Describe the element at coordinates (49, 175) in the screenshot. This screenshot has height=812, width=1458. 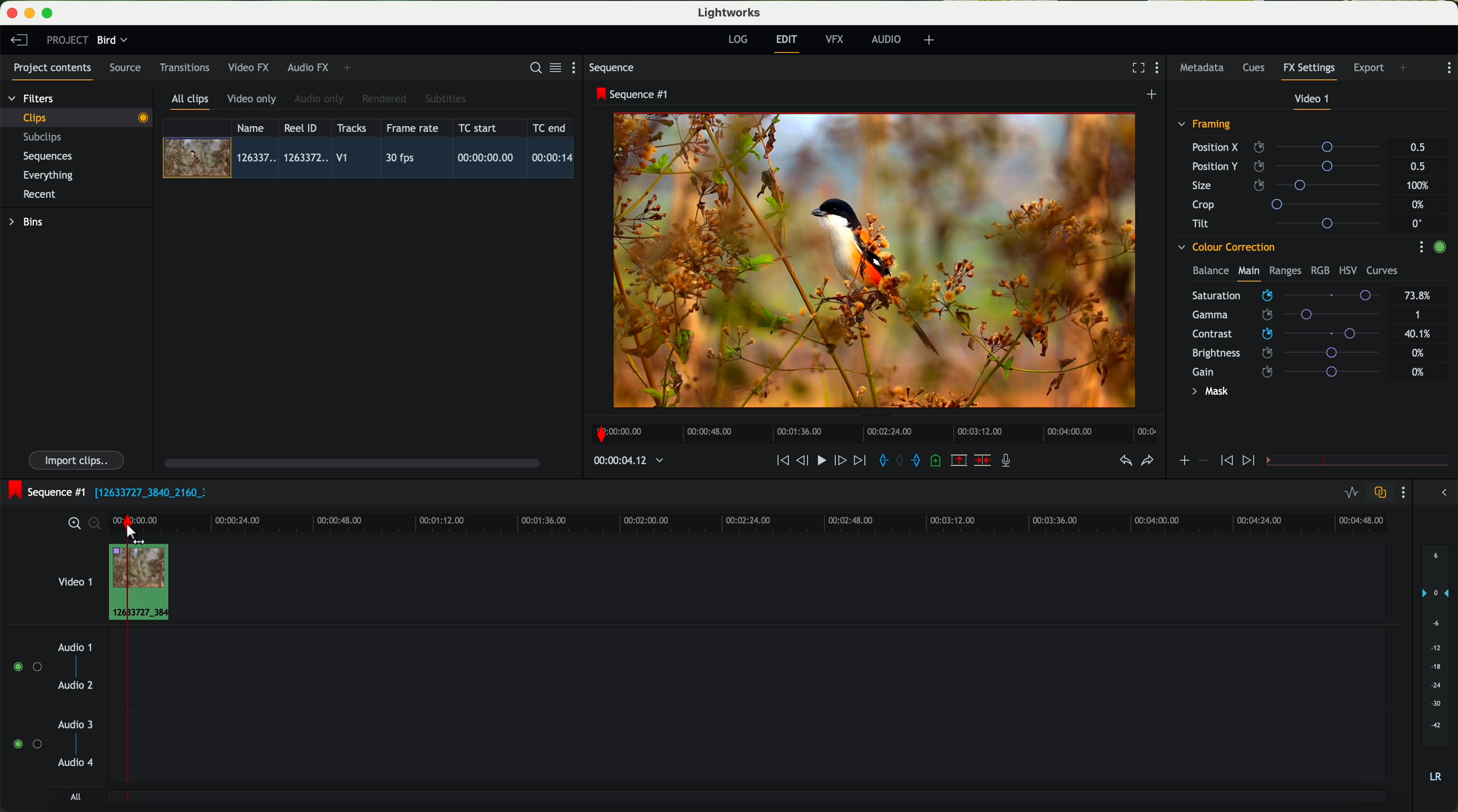
I see `everything` at that location.